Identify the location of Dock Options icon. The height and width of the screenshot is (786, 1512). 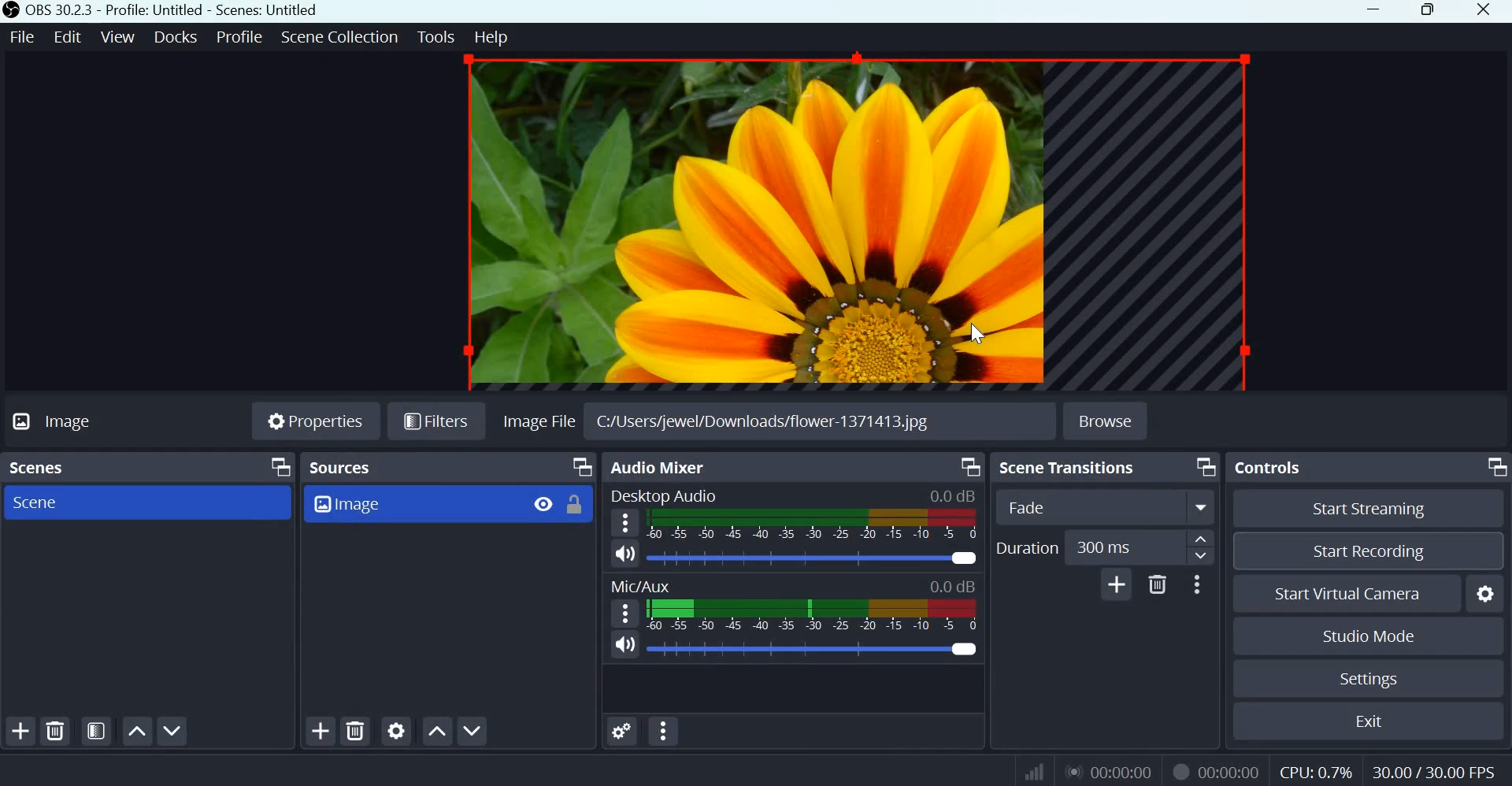
(1493, 468).